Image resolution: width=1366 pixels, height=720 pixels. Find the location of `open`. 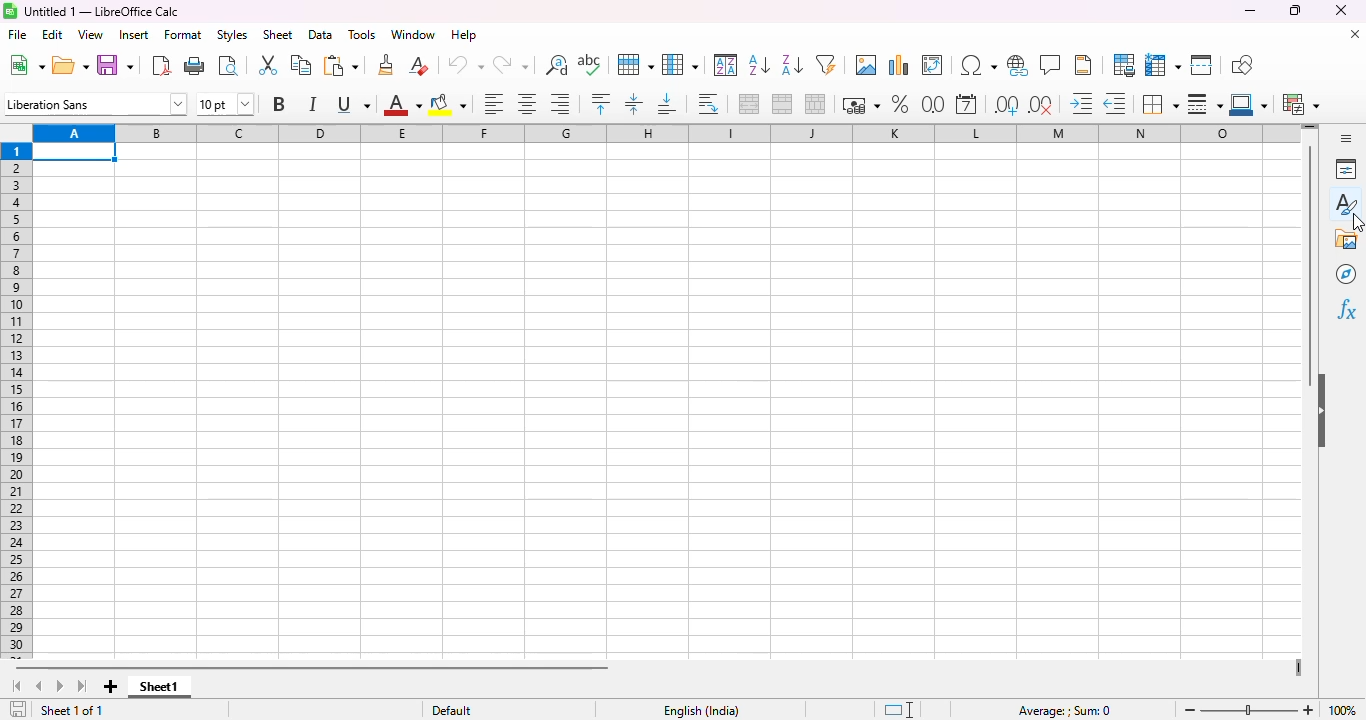

open is located at coordinates (70, 65).